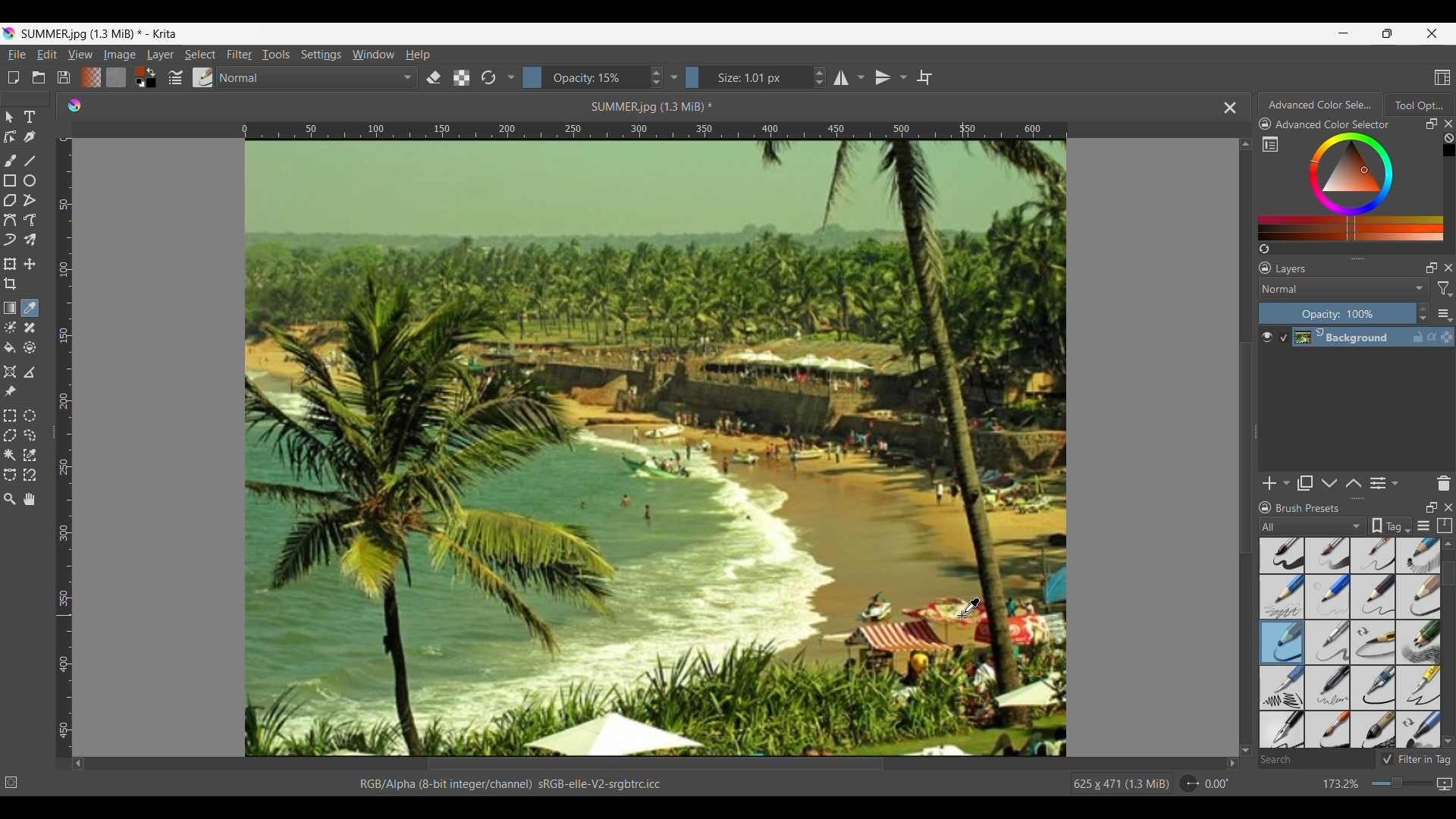 The image size is (1456, 819). What do you see at coordinates (516, 783) in the screenshot?
I see `RGB/Alpha (8-bit integer/channel) sRGB-elle-V2-srgbtrc.icc` at bounding box center [516, 783].